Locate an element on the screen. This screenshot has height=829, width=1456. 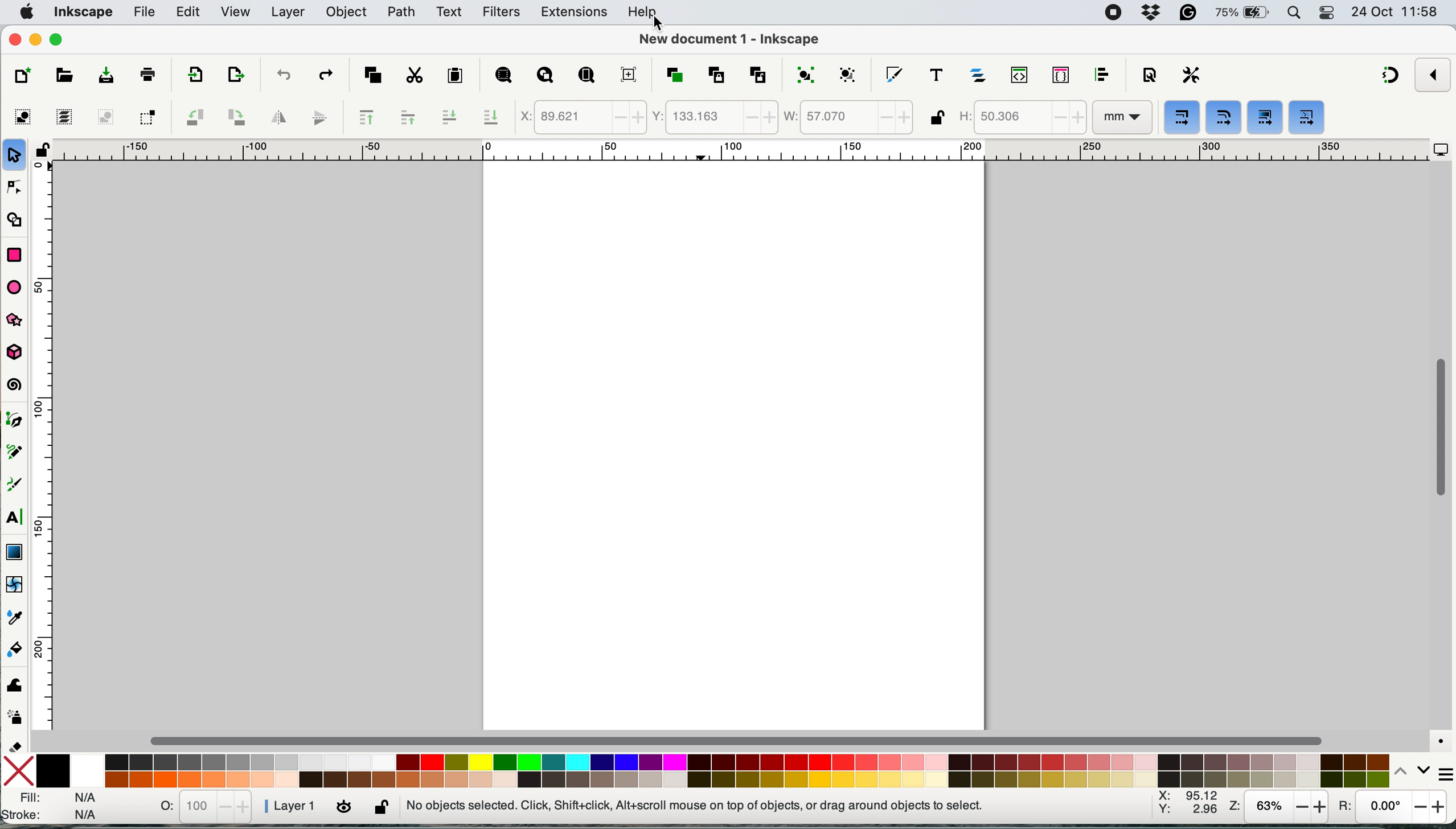
paste is located at coordinates (456, 75).